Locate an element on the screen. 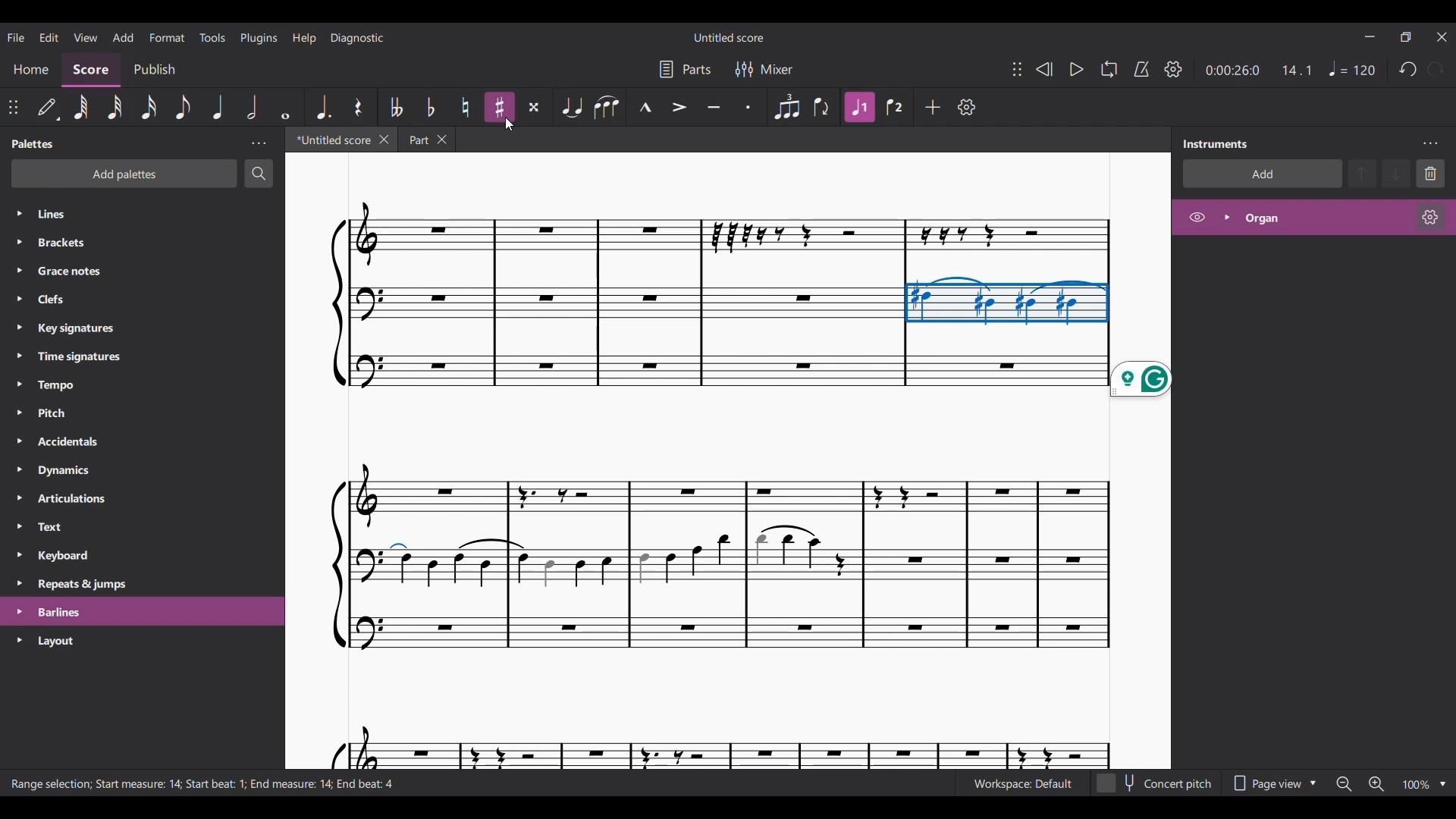 This screenshot has width=1456, height=819. Score title is located at coordinates (728, 37).